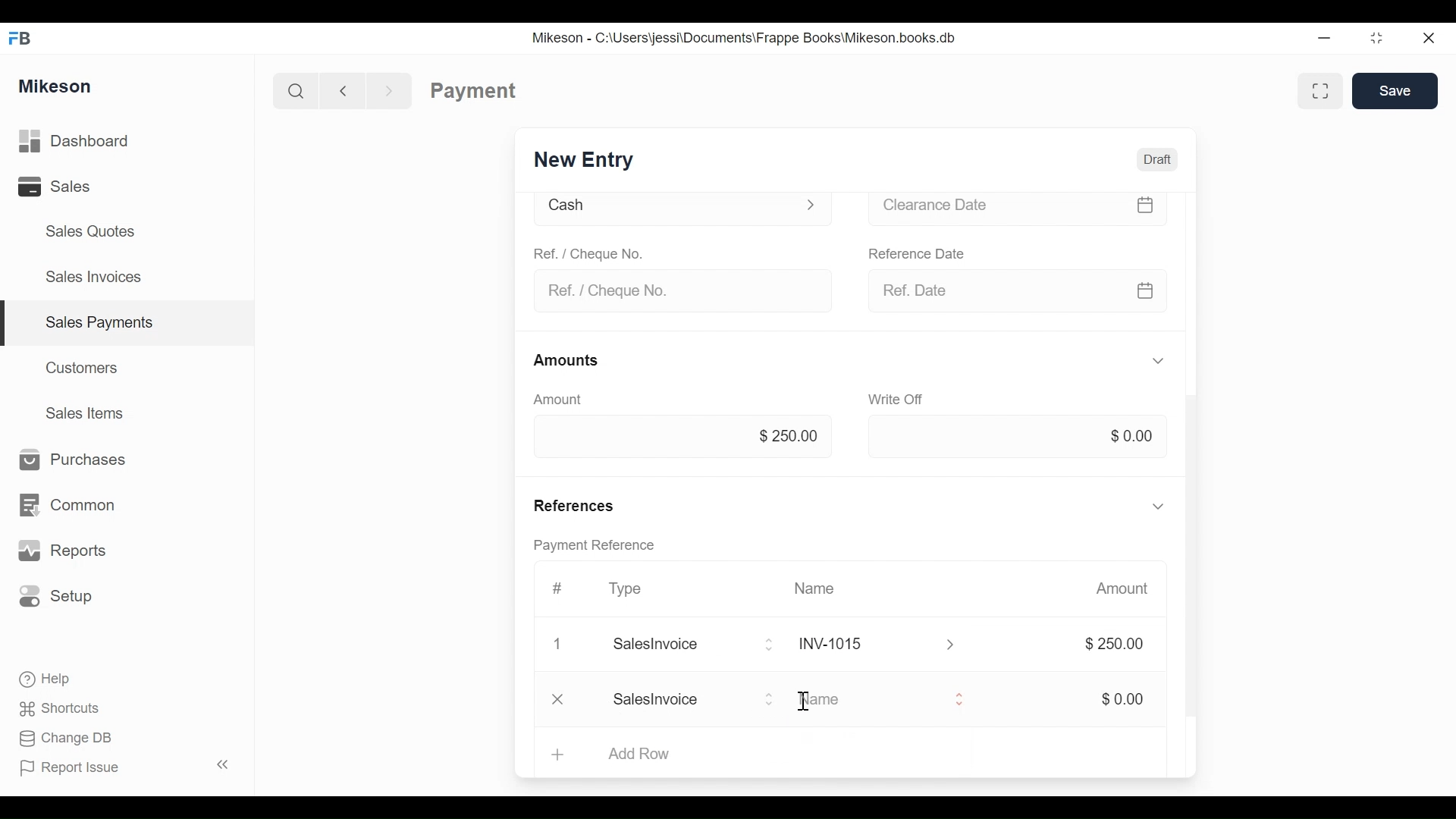  I want to click on Amounts, so click(566, 360).